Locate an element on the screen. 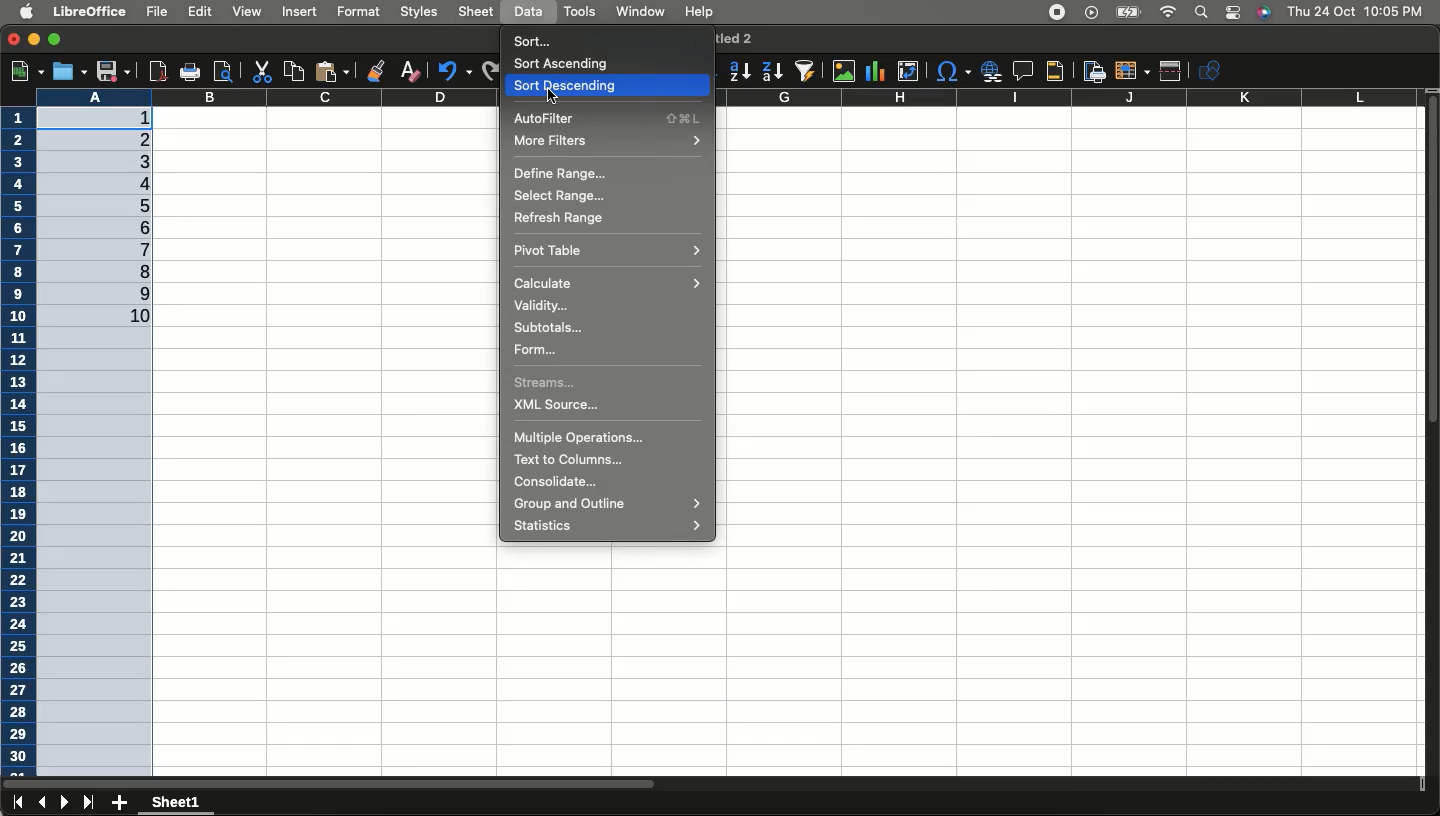 Image resolution: width=1440 pixels, height=816 pixels. Styles is located at coordinates (420, 13).